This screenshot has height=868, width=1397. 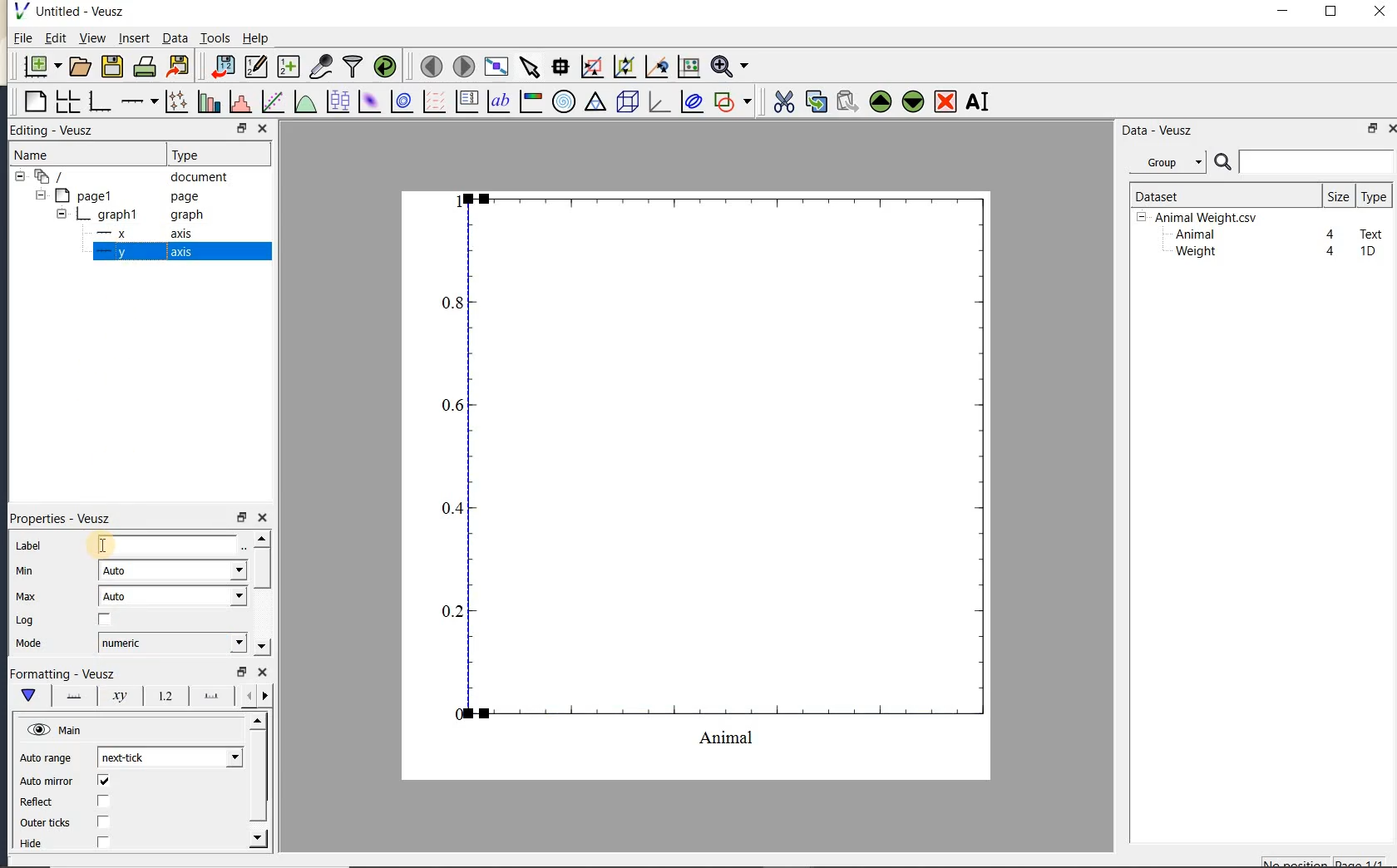 I want to click on click or draw a rectangle to zoom graph axes, so click(x=591, y=67).